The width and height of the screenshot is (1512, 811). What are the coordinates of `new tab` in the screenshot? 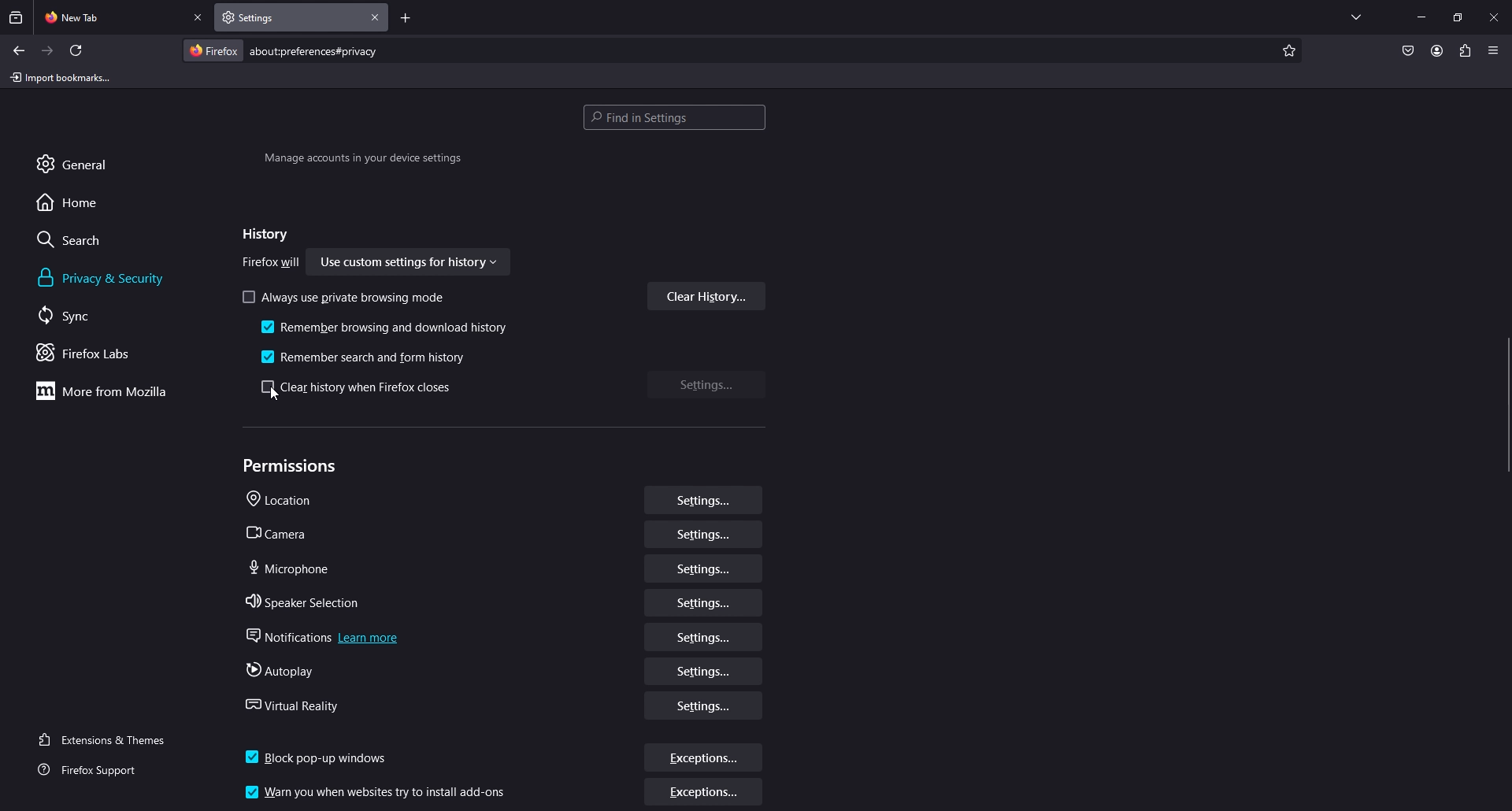 It's located at (111, 16).